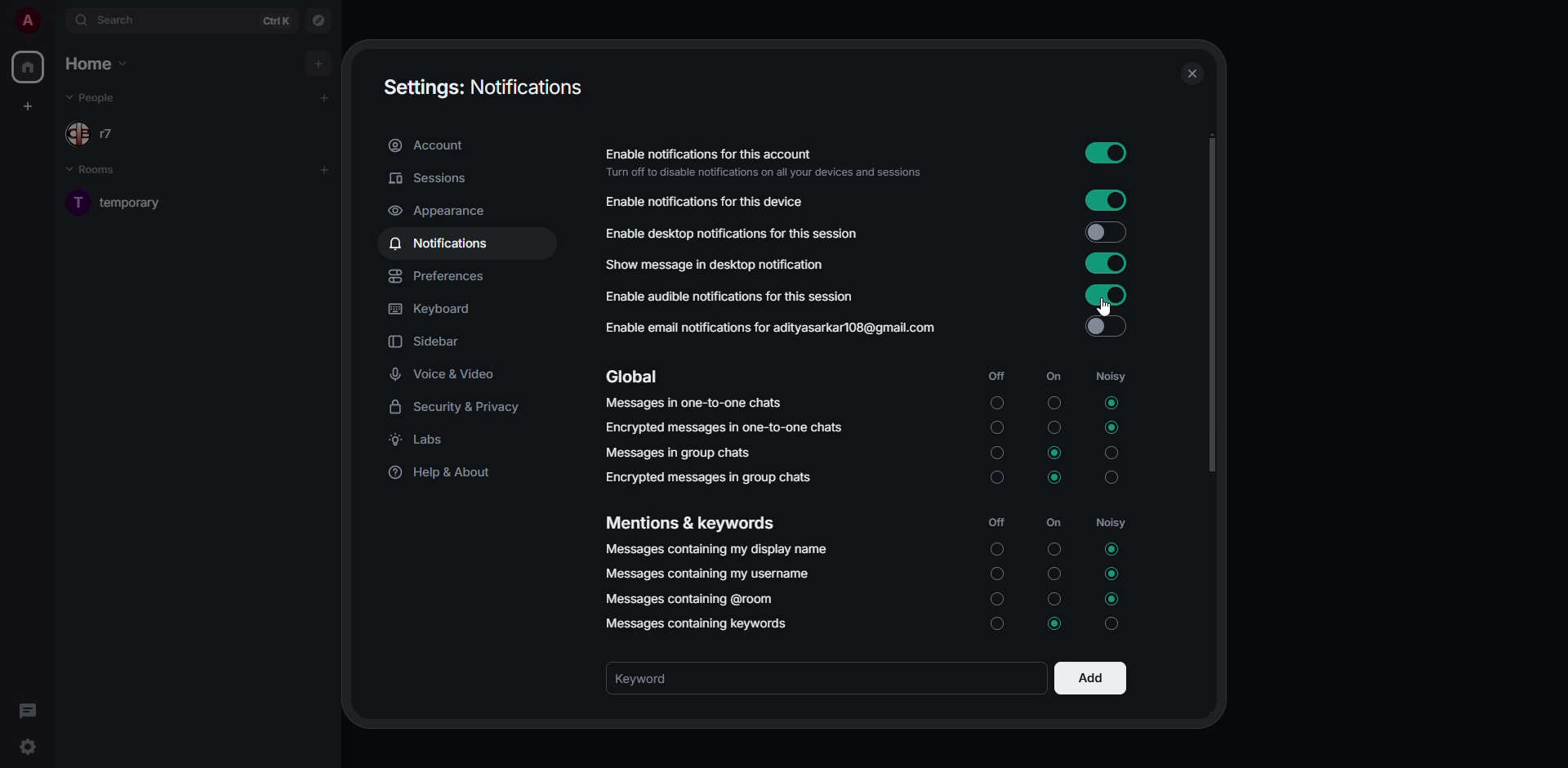  I want to click on Off Unselected, so click(996, 574).